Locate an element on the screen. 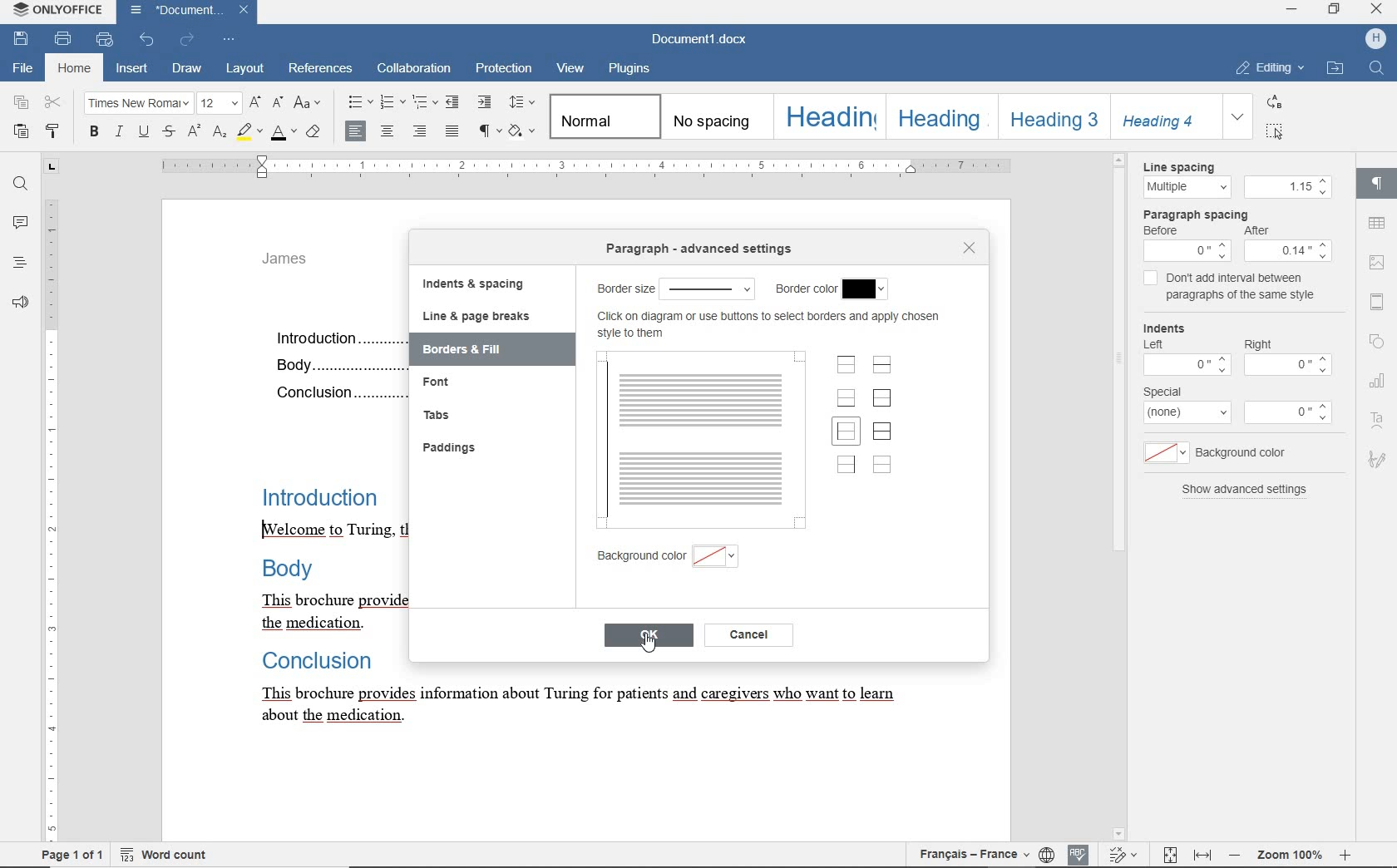 The height and width of the screenshot is (868, 1397). Body is located at coordinates (284, 567).